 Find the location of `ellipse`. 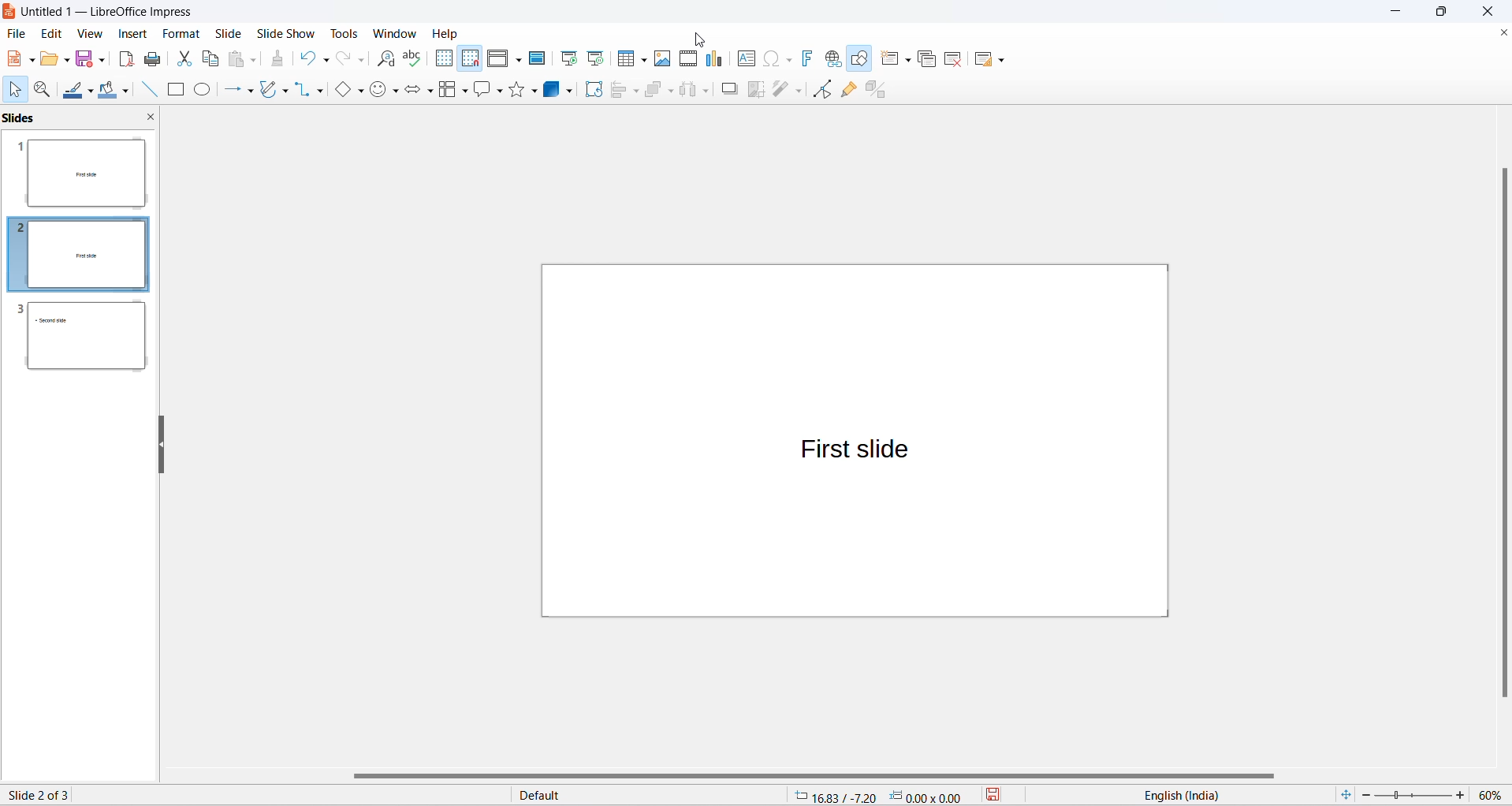

ellipse is located at coordinates (203, 91).